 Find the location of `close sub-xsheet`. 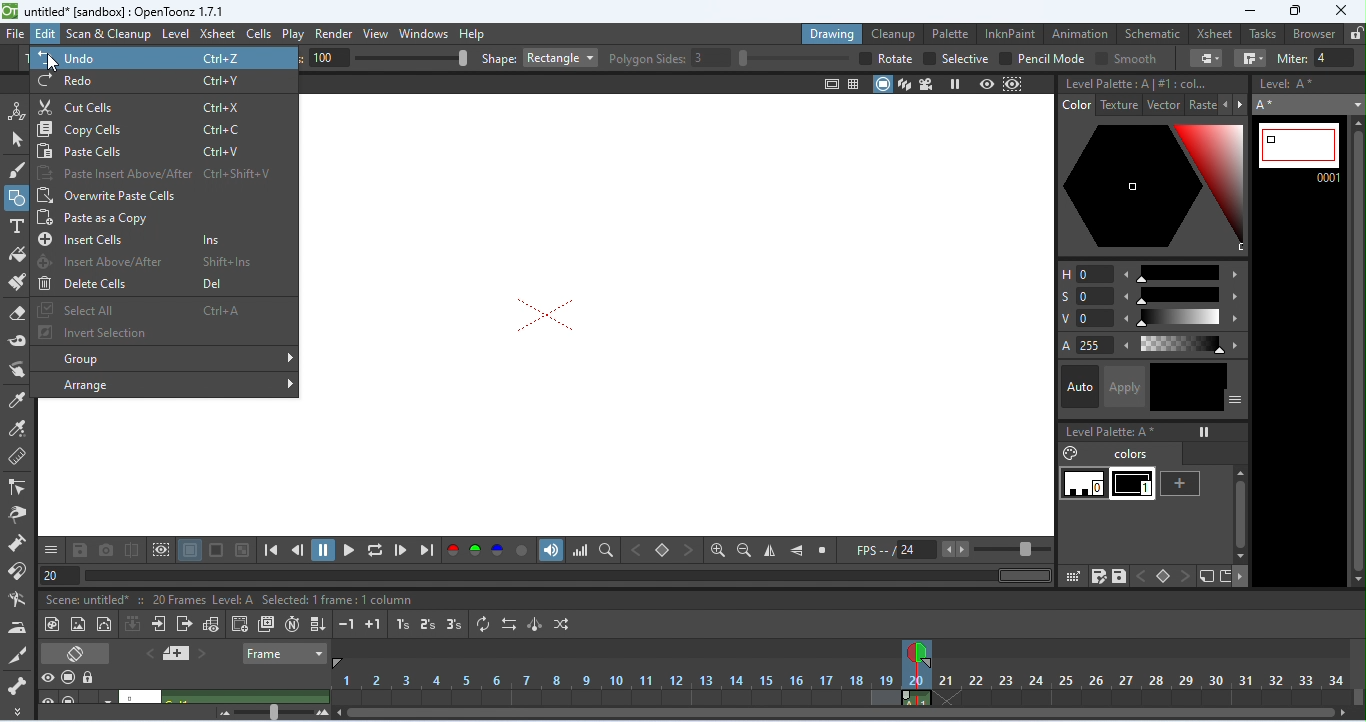

close sub-xsheet is located at coordinates (184, 623).